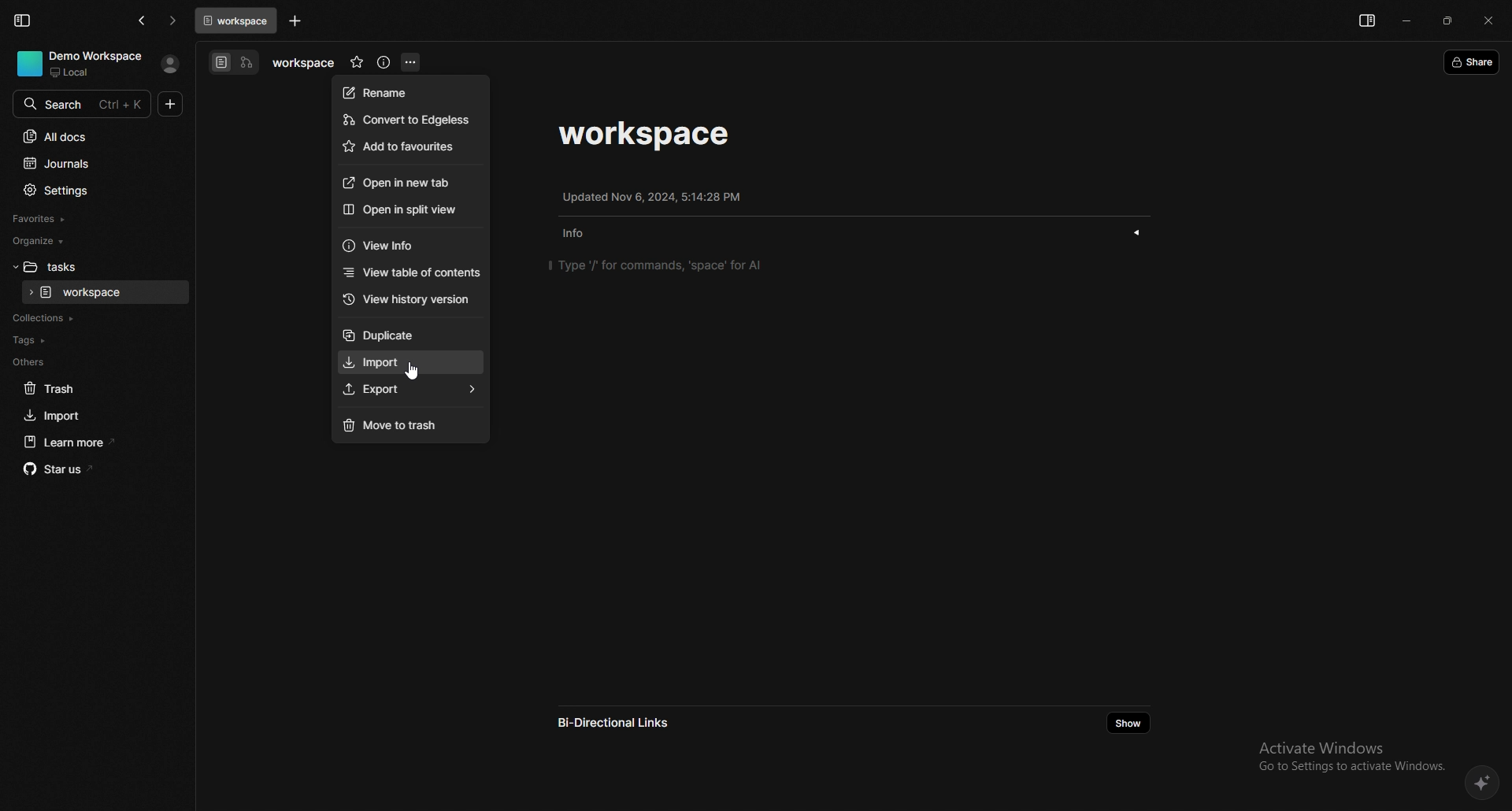 This screenshot has width=1512, height=811. Describe the element at coordinates (1347, 755) in the screenshot. I see `Activate Windows
Go to Settings to activate Windows.` at that location.